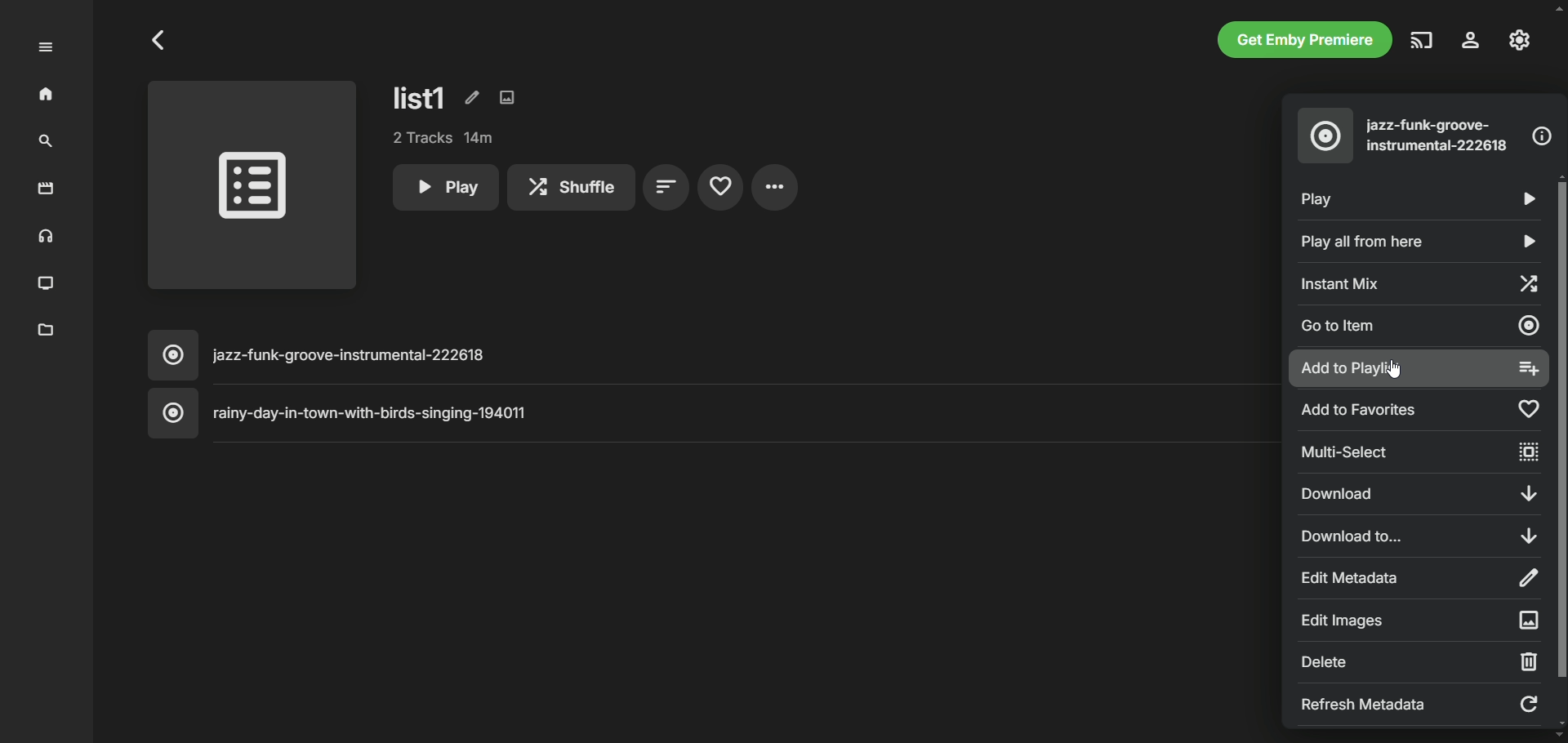 This screenshot has height=743, width=1568. What do you see at coordinates (47, 331) in the screenshot?
I see `metadata manager` at bounding box center [47, 331].